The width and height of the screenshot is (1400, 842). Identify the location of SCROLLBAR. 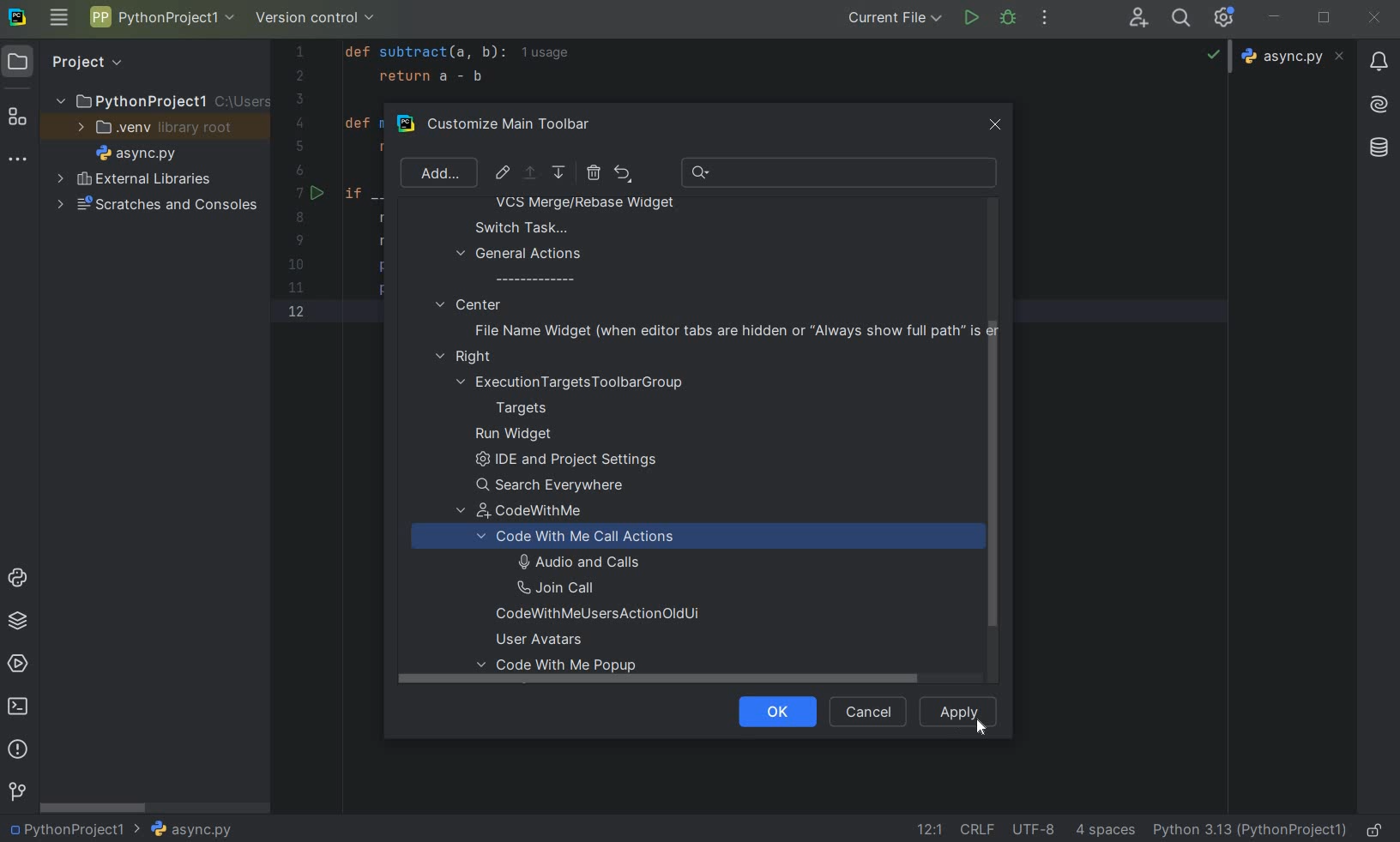
(94, 806).